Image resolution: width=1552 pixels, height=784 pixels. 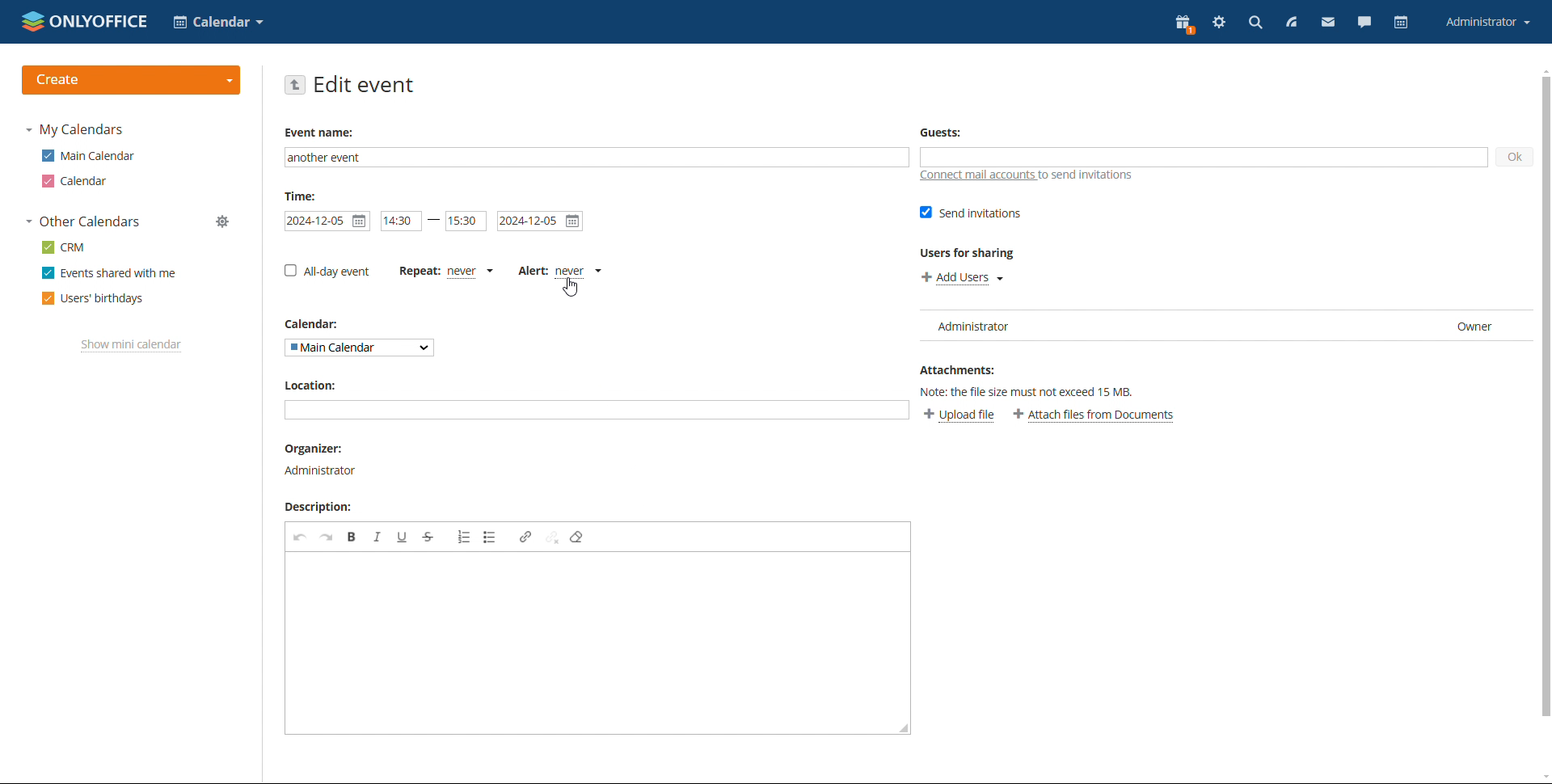 I want to click on present, so click(x=1185, y=24).